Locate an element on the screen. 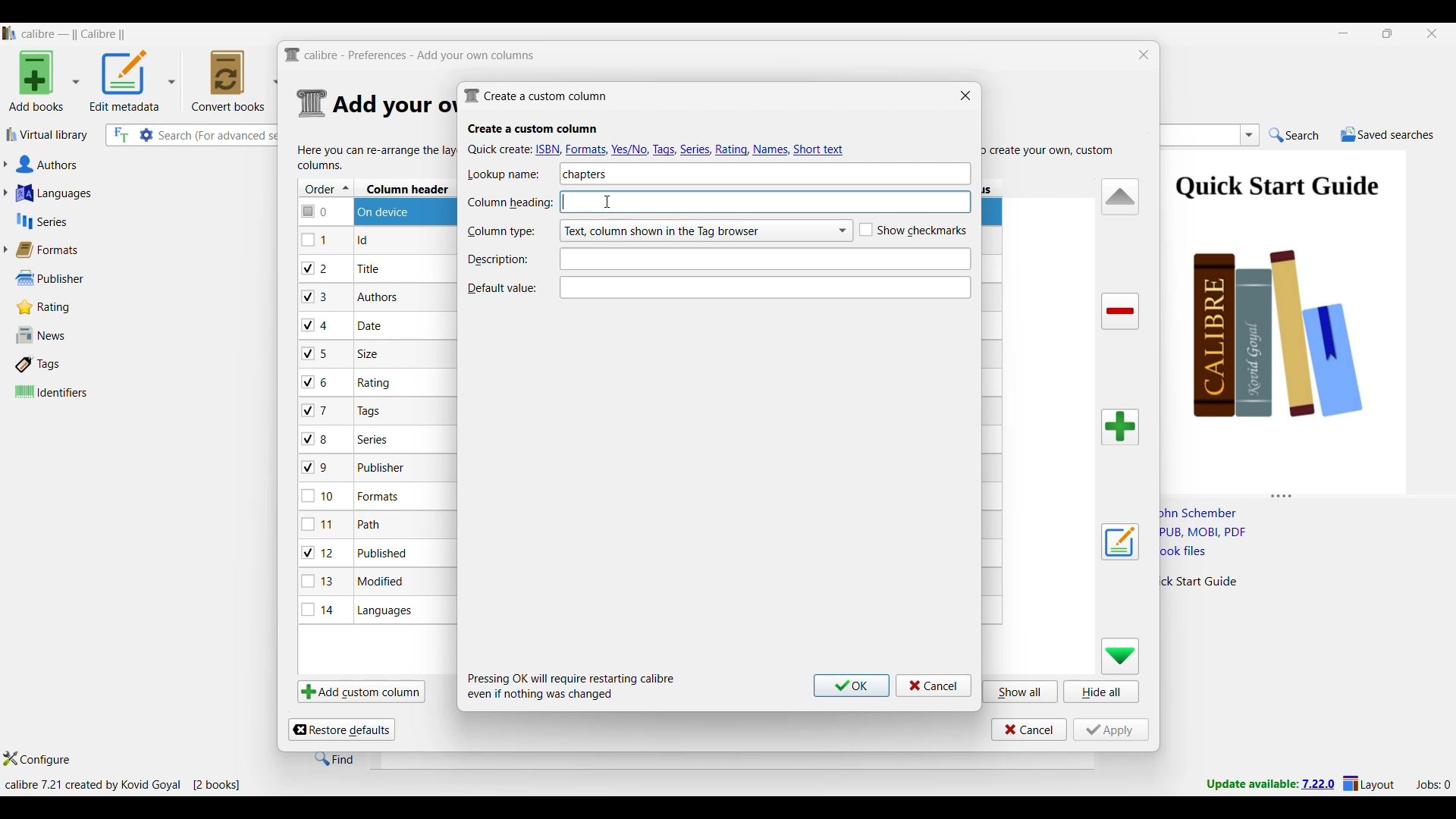 Image resolution: width=1456 pixels, height=819 pixels. Configure is located at coordinates (37, 758).